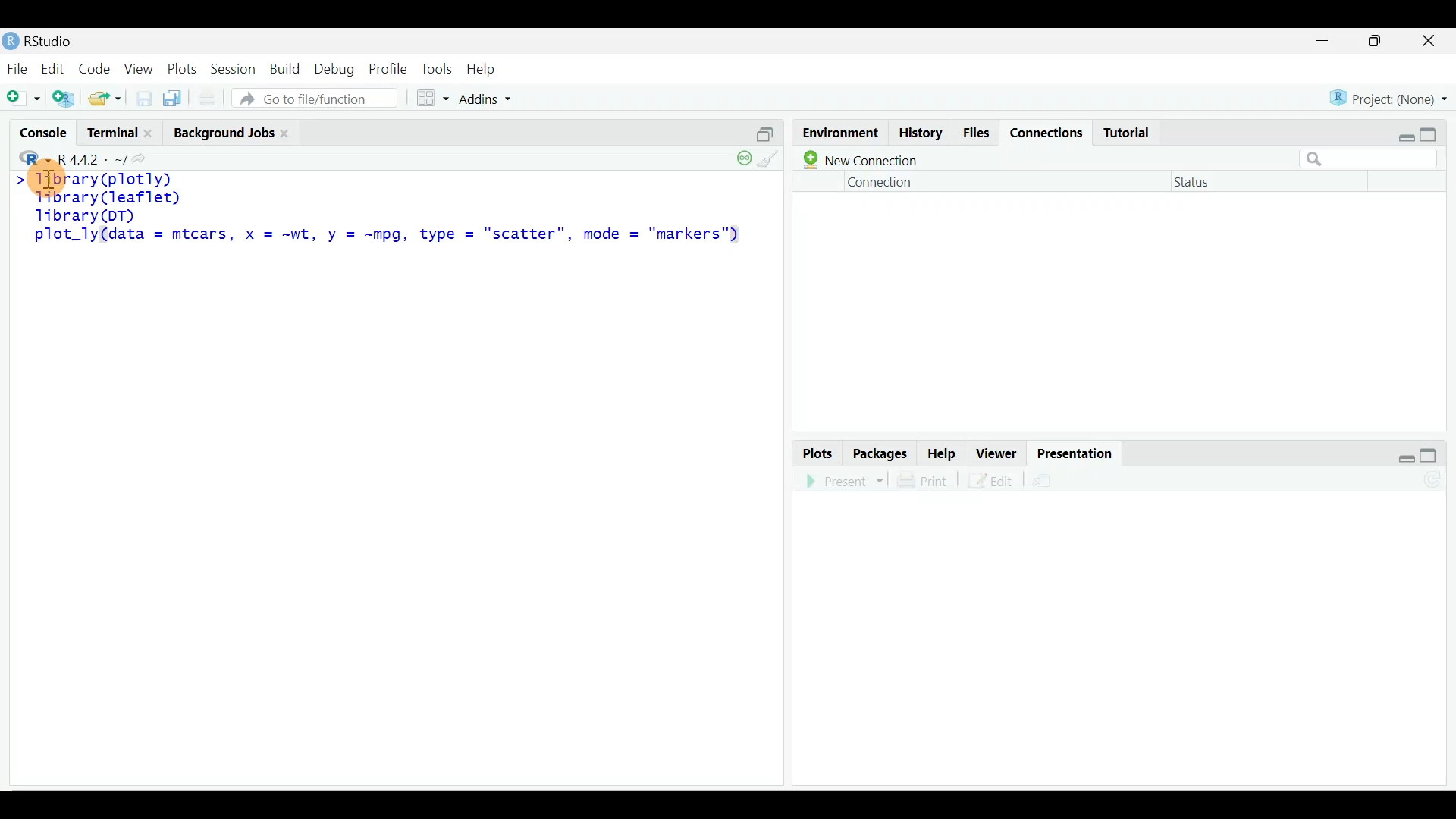 The width and height of the screenshot is (1456, 819). I want to click on Packages, so click(879, 453).